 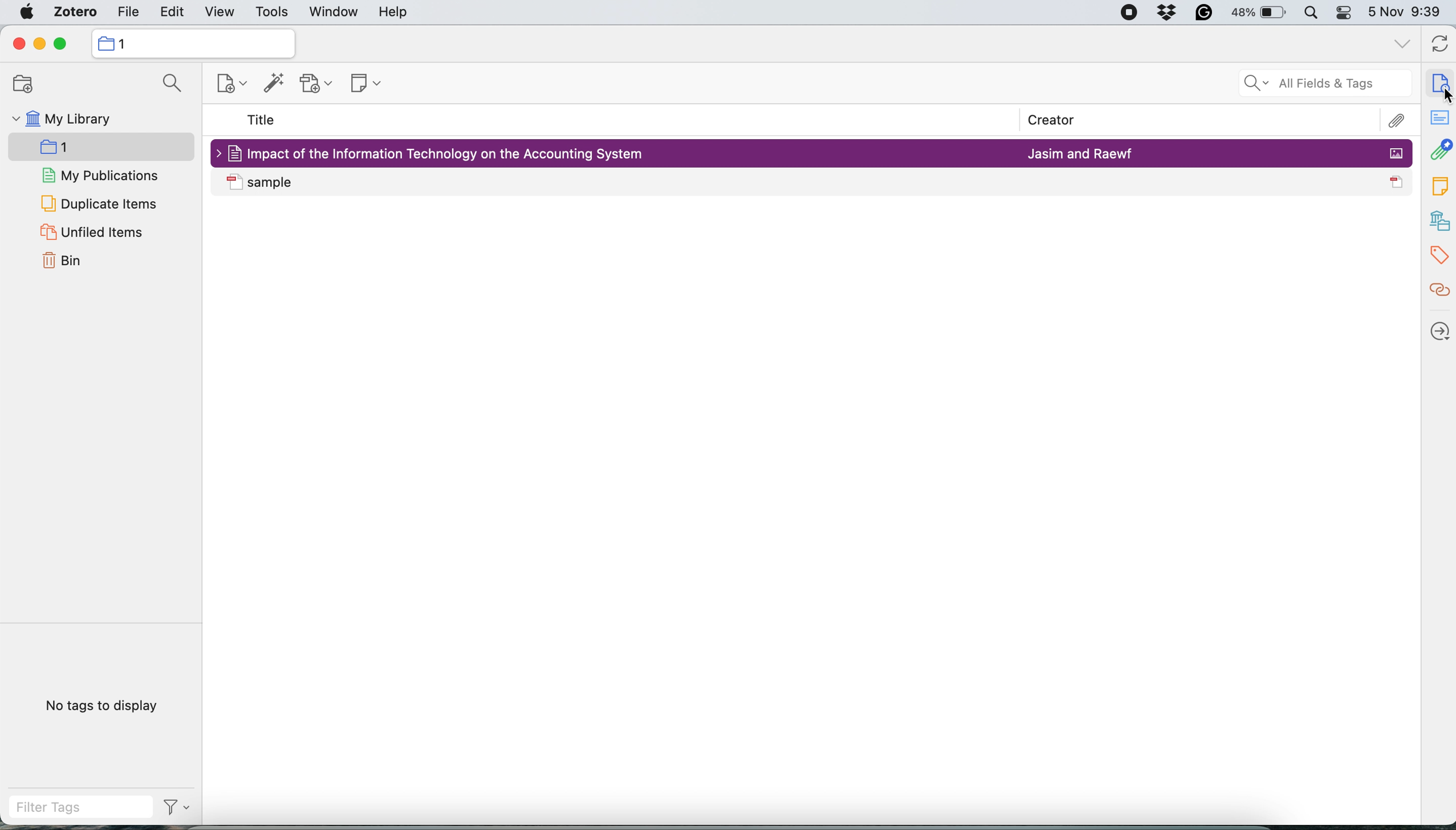 What do you see at coordinates (104, 176) in the screenshot?
I see `my publications` at bounding box center [104, 176].